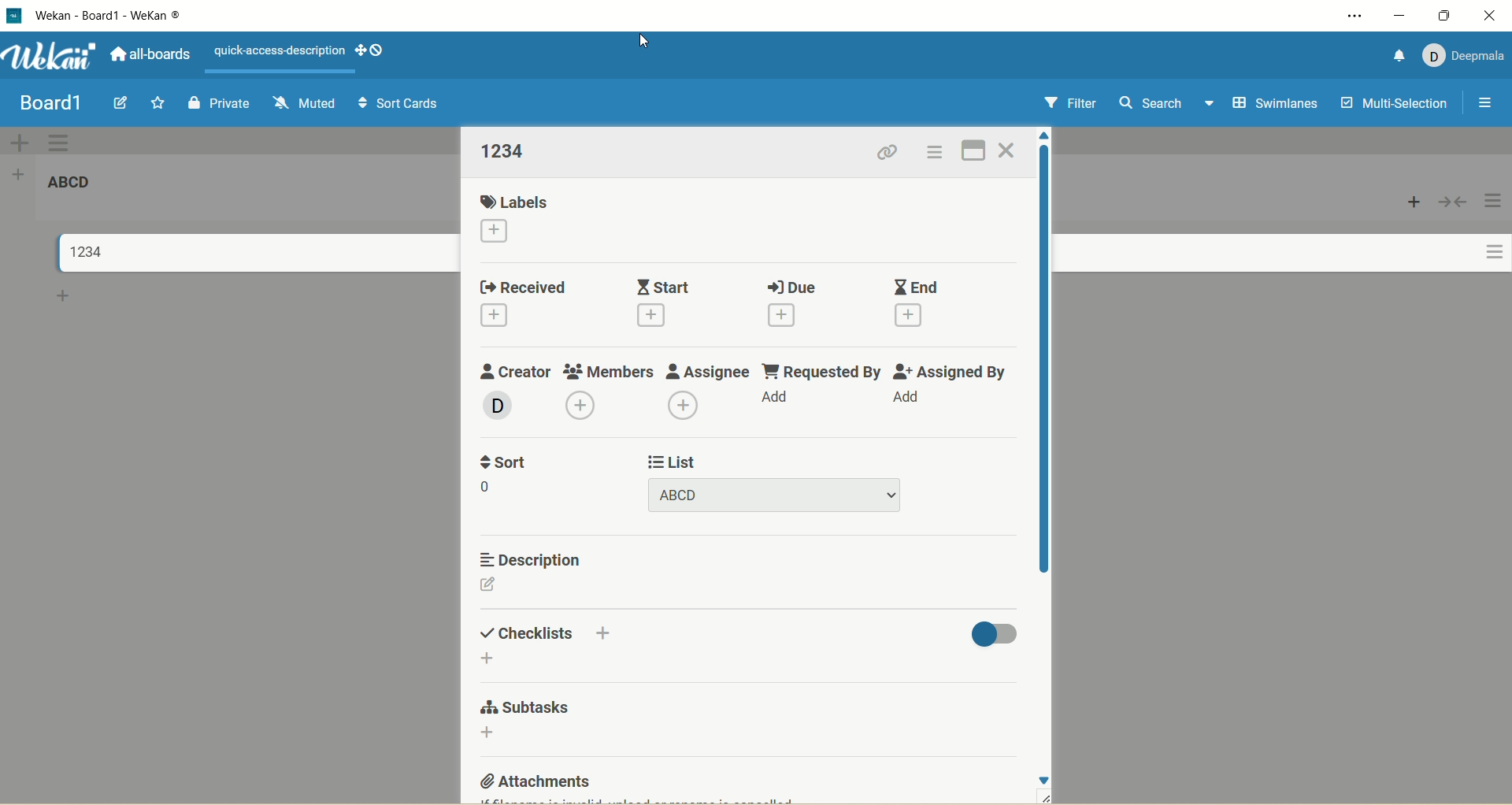 The image size is (1512, 805). What do you see at coordinates (670, 461) in the screenshot?
I see `List` at bounding box center [670, 461].